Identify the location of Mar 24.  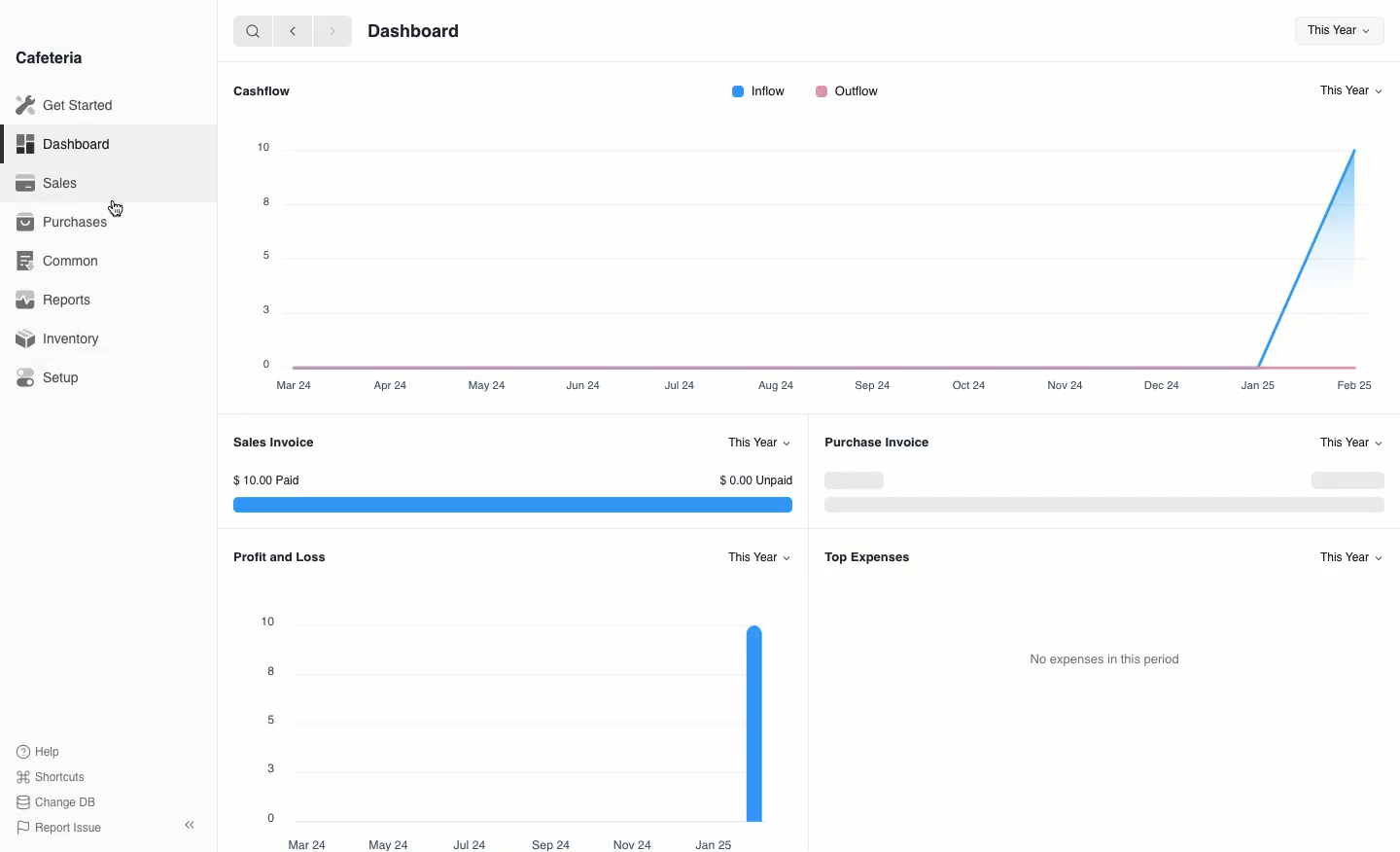
(296, 384).